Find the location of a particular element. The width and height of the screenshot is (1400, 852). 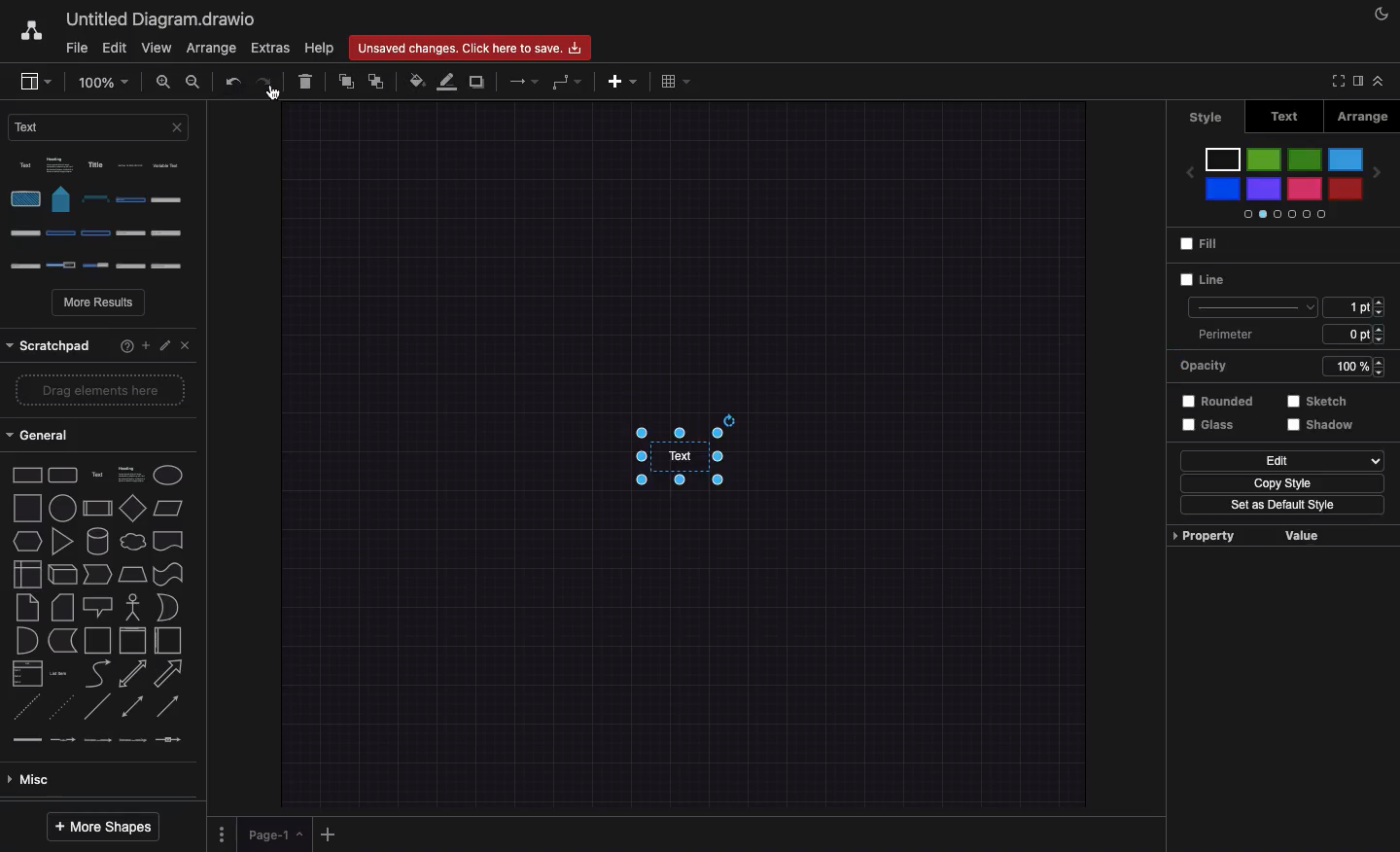

Arrange is located at coordinates (1359, 117).